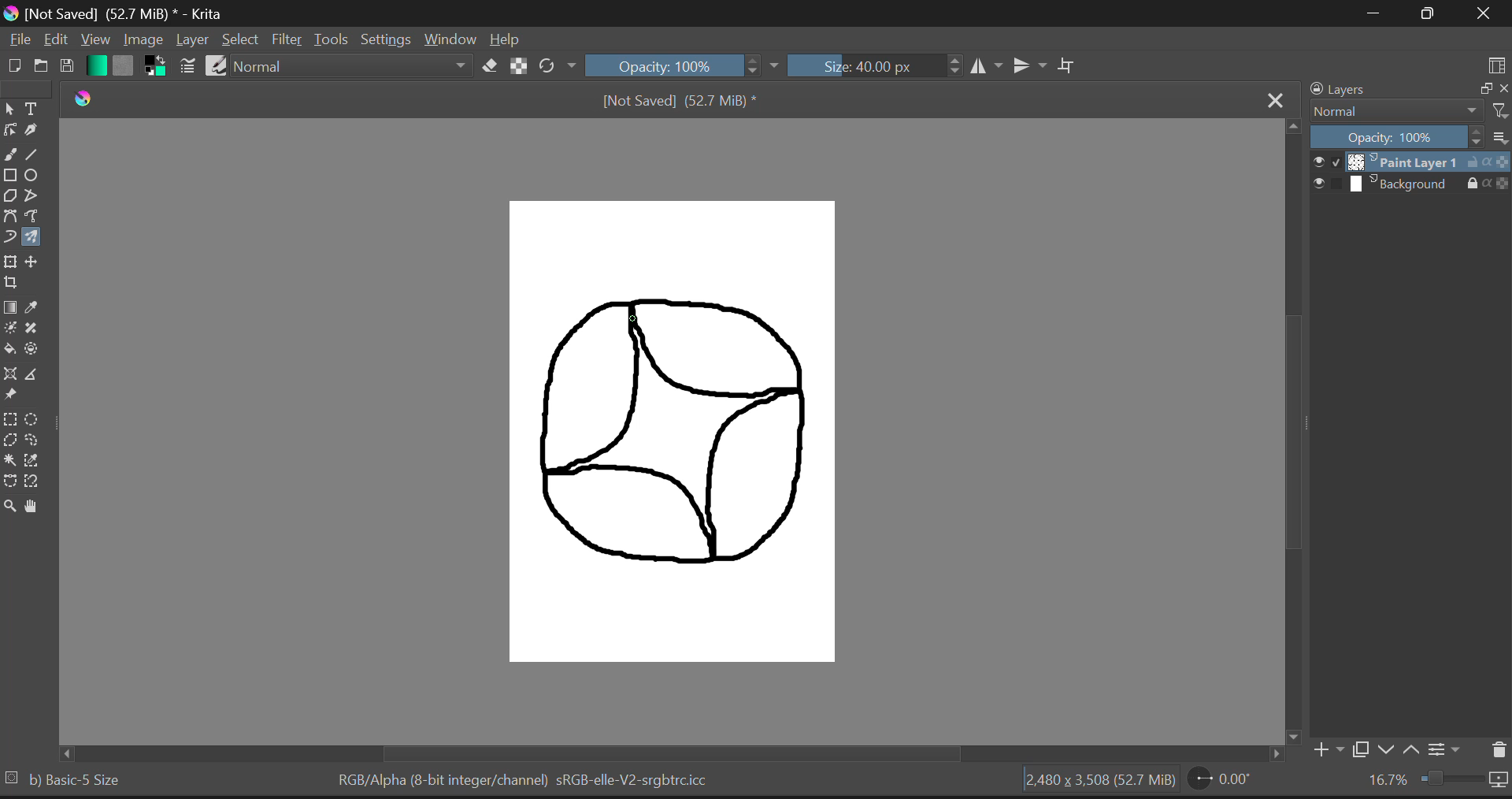  What do you see at coordinates (34, 214) in the screenshot?
I see `Freehand Path Tool` at bounding box center [34, 214].